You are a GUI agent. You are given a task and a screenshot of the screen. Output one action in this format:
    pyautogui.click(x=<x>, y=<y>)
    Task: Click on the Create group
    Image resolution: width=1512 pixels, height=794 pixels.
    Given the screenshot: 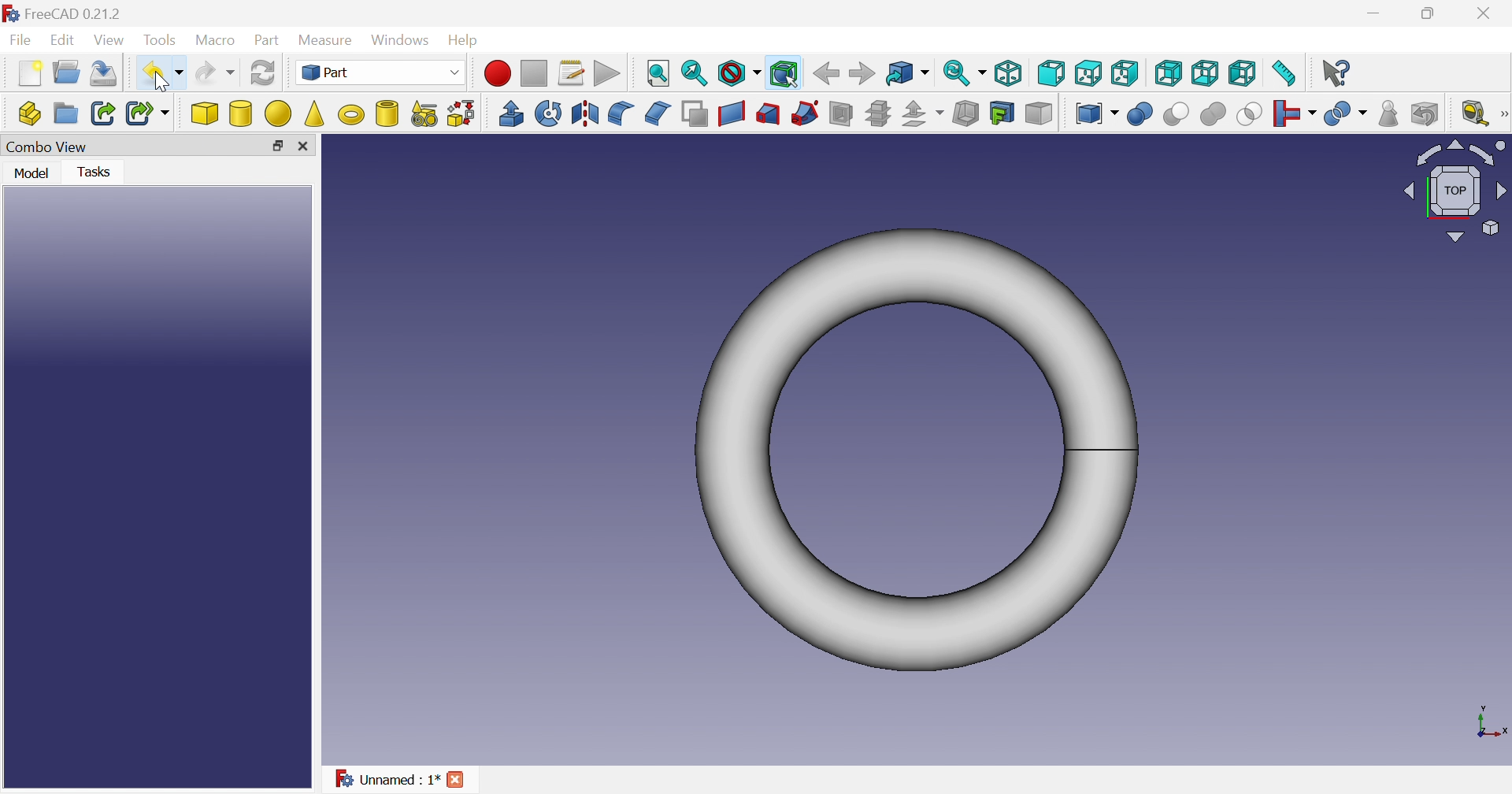 What is the action you would take?
    pyautogui.click(x=67, y=114)
    